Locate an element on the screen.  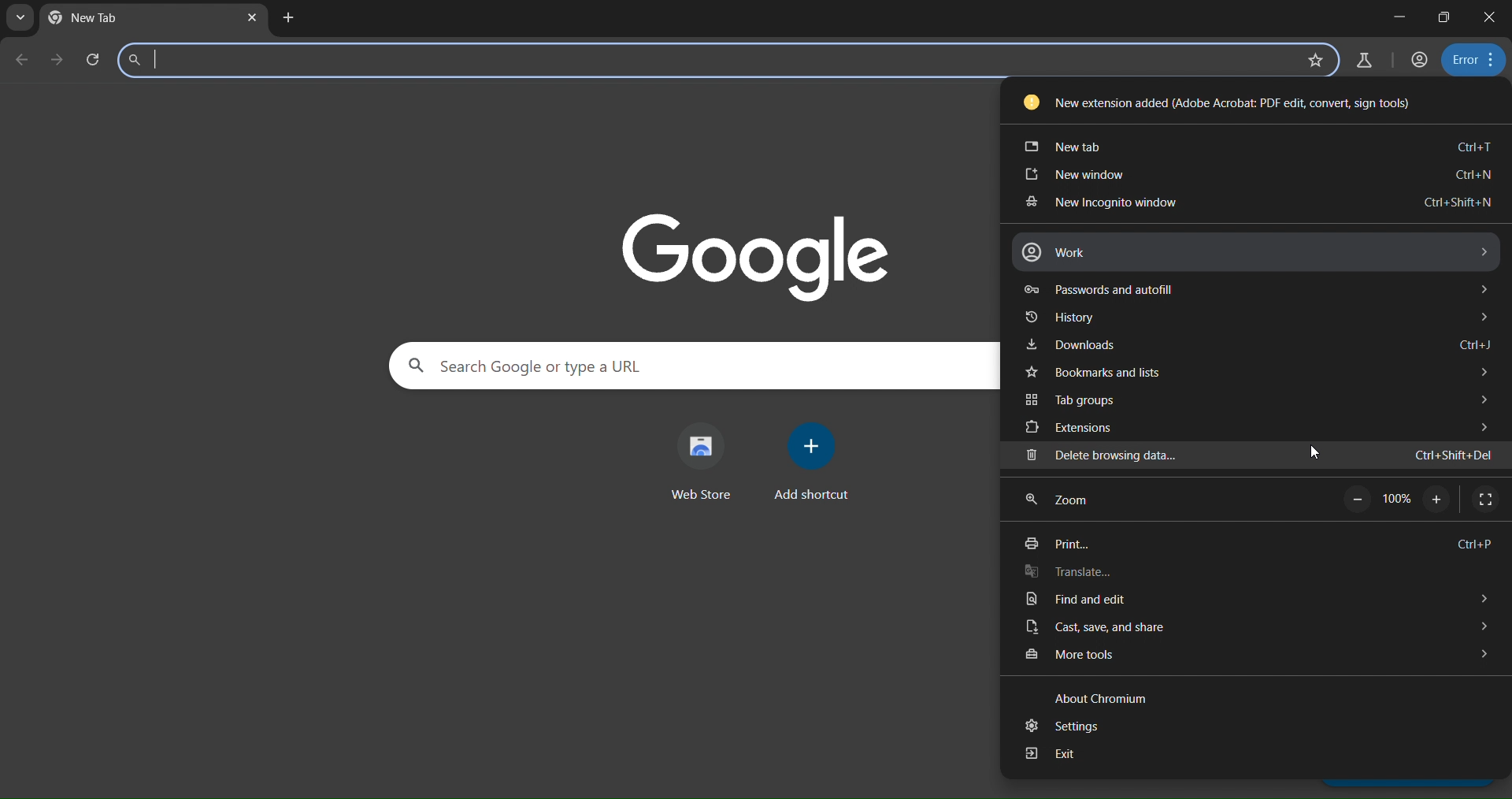
add shortcut is located at coordinates (810, 460).